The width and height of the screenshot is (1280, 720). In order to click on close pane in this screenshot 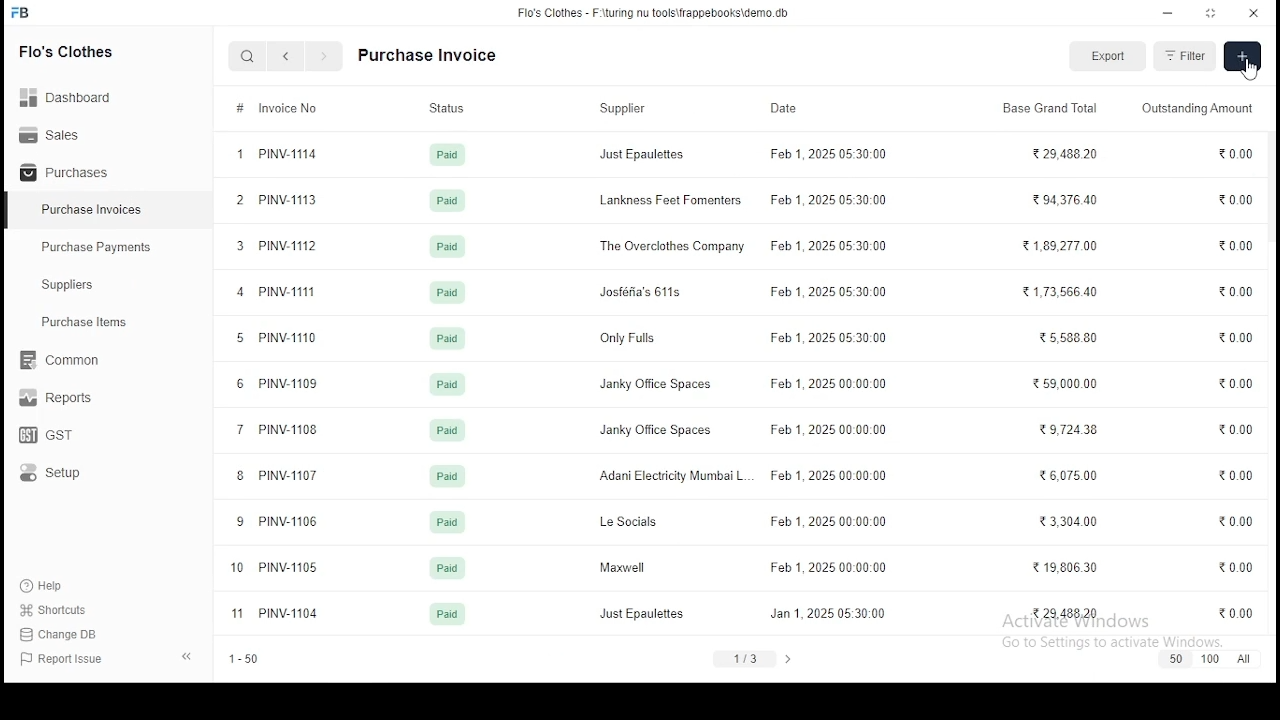, I will do `click(185, 655)`.